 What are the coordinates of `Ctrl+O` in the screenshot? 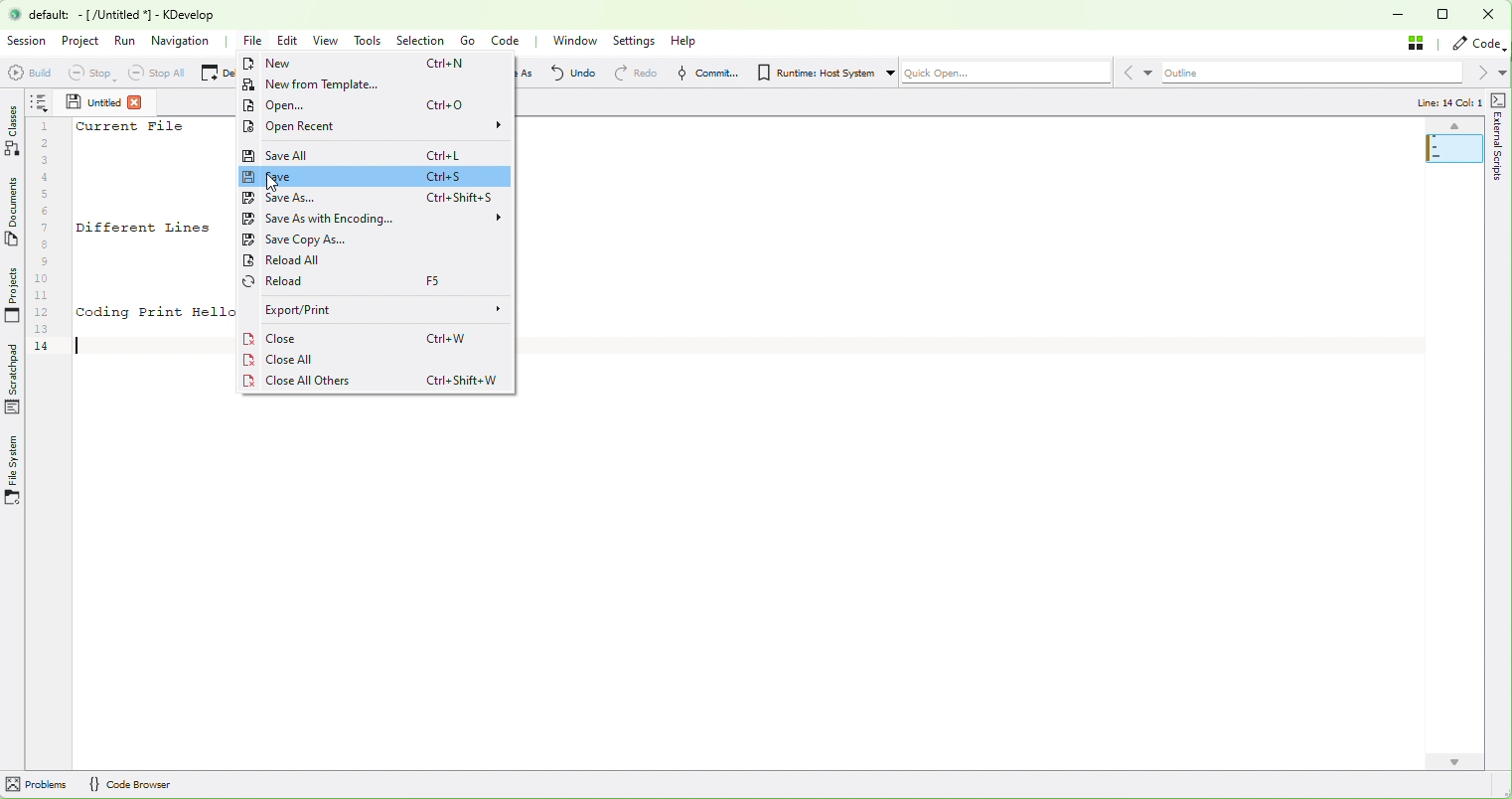 It's located at (449, 104).